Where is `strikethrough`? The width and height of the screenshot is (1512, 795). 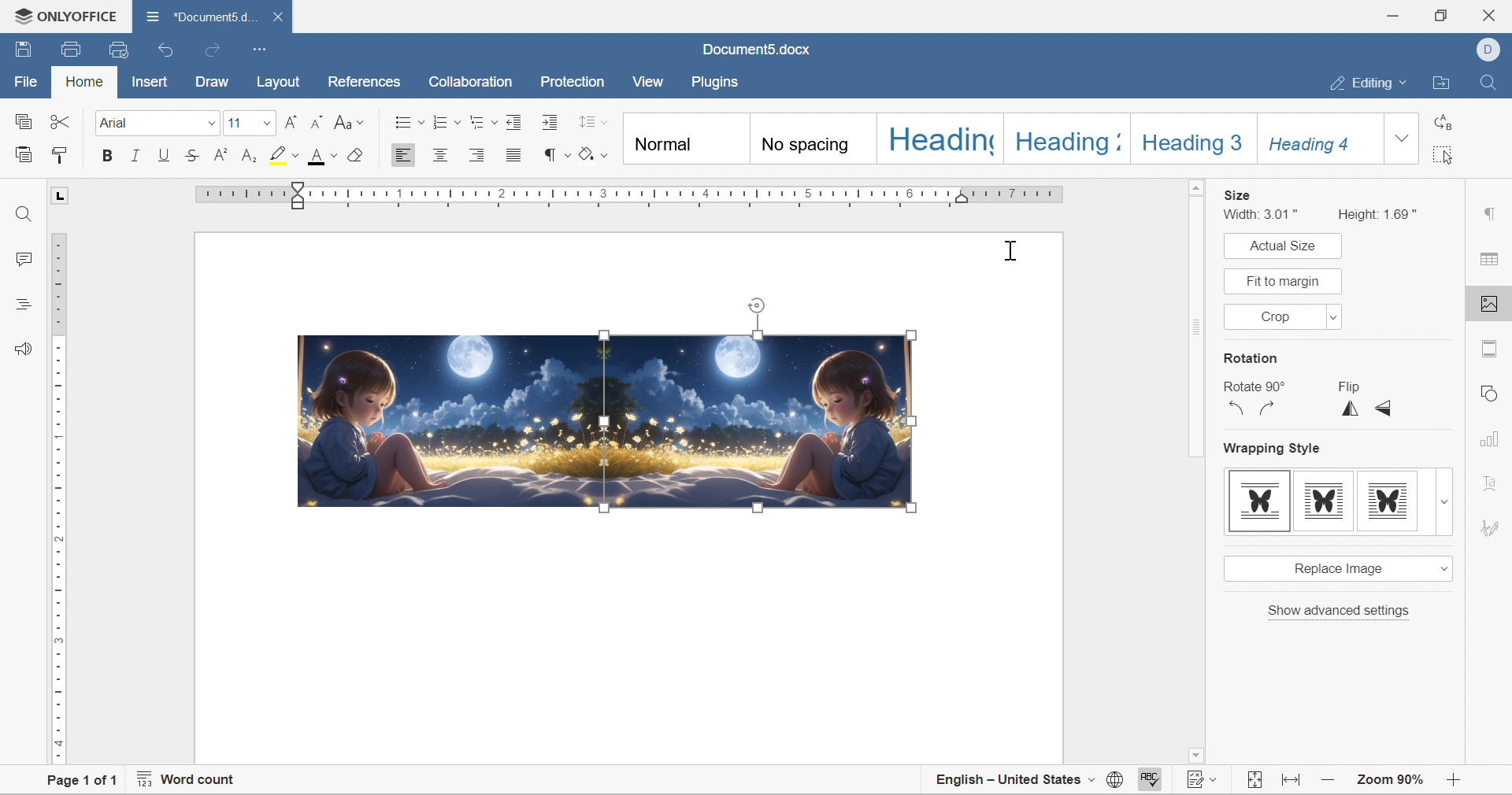
strikethrough is located at coordinates (192, 155).